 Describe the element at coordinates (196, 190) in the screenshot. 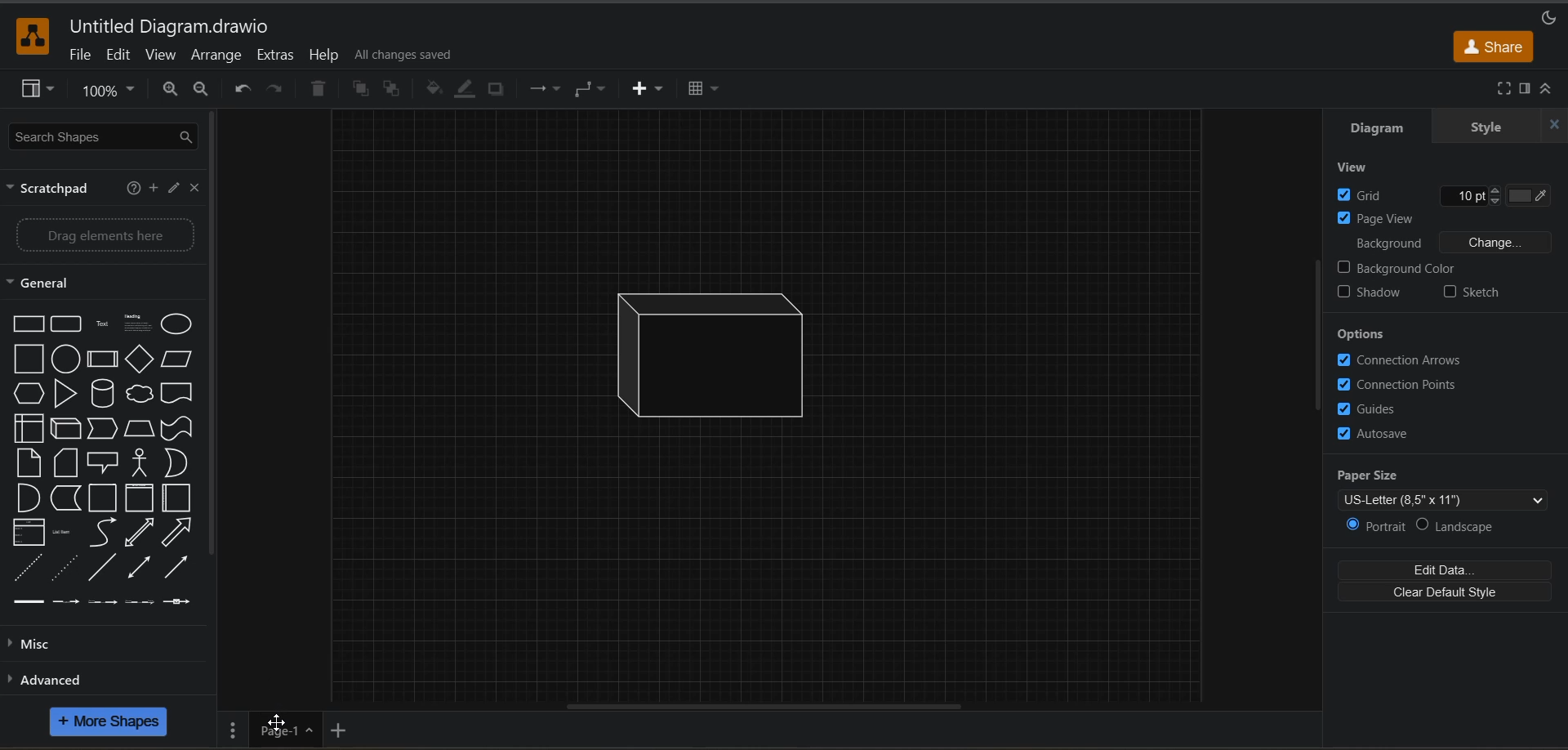

I see `close` at that location.